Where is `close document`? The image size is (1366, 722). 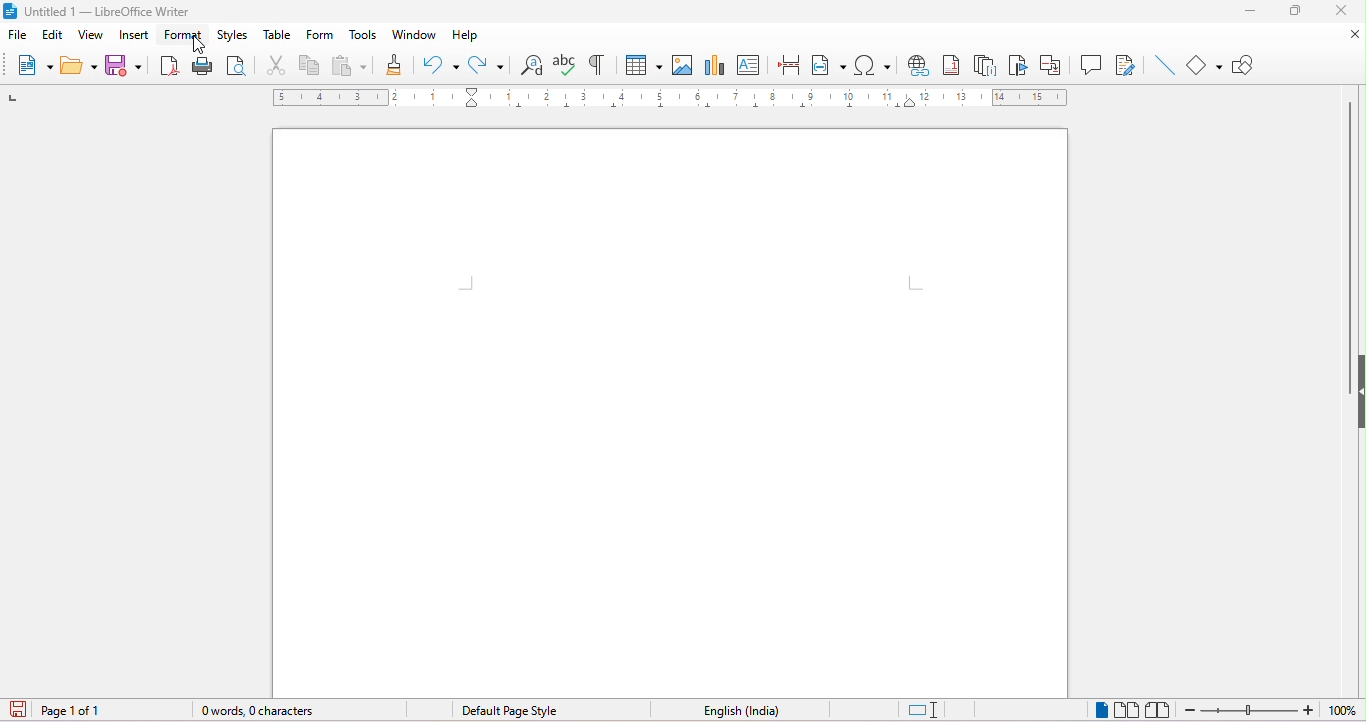 close document is located at coordinates (1344, 34).